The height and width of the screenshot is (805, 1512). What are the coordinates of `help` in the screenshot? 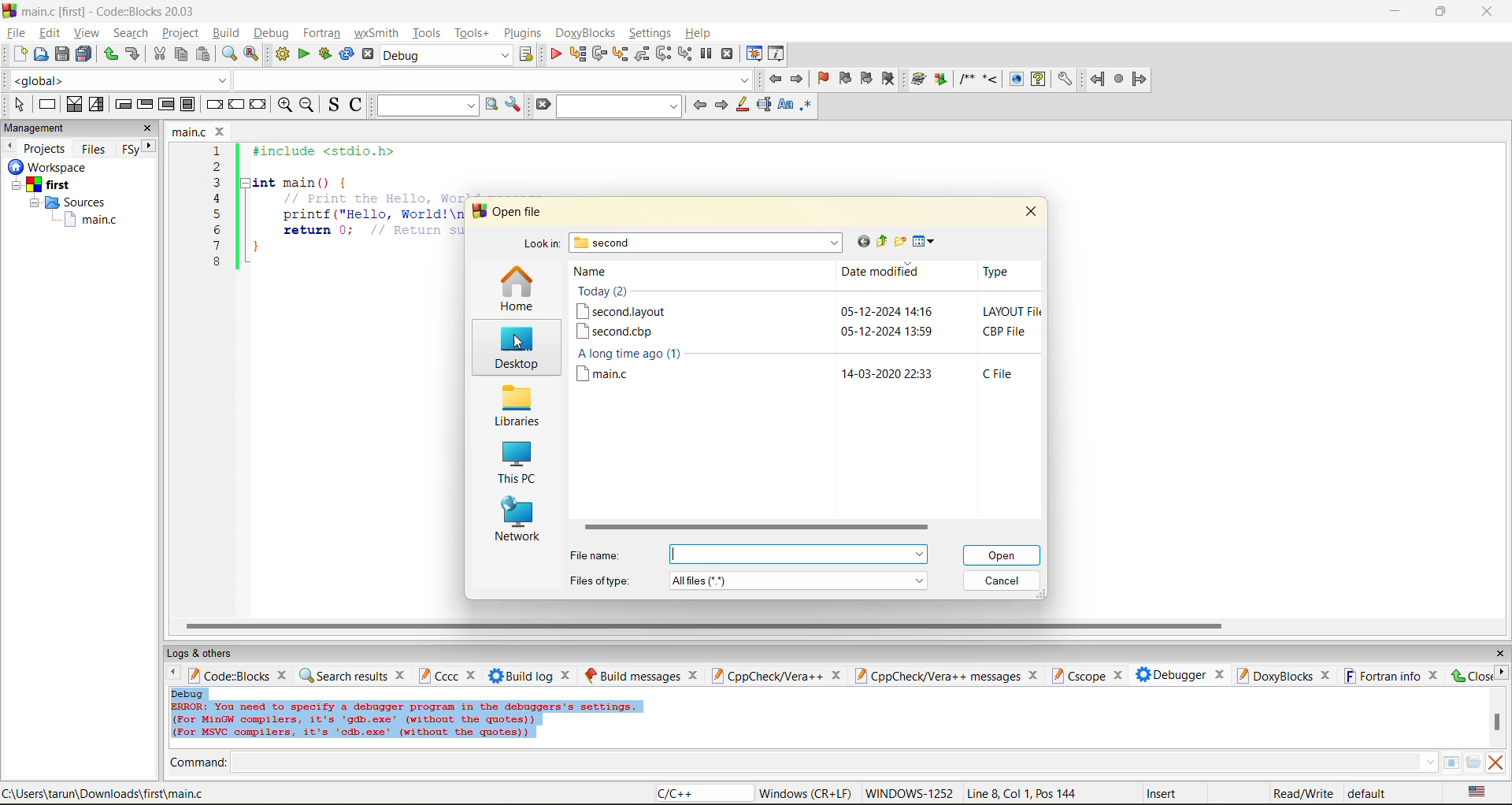 It's located at (700, 33).